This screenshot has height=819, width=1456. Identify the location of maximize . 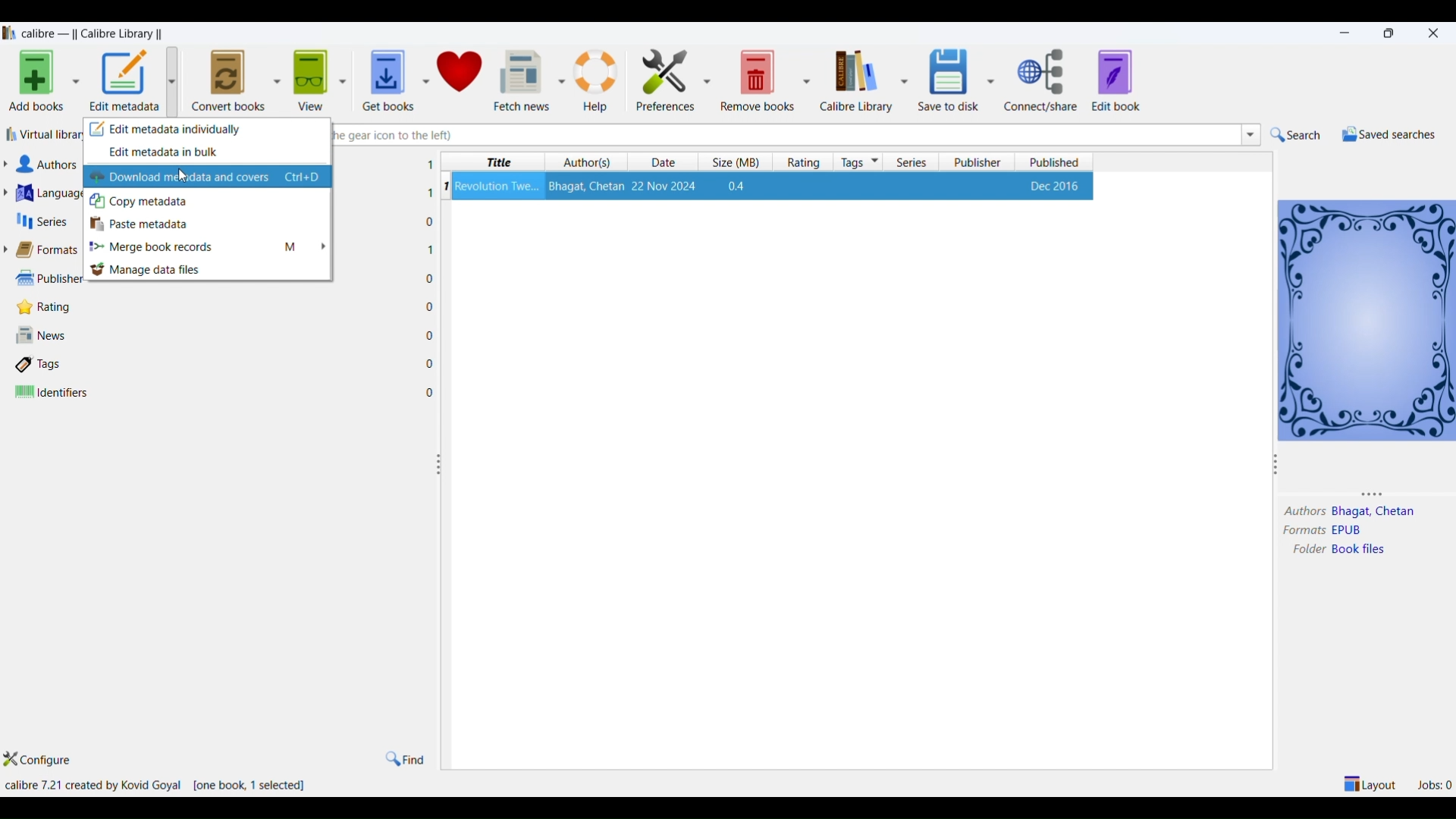
(1392, 33).